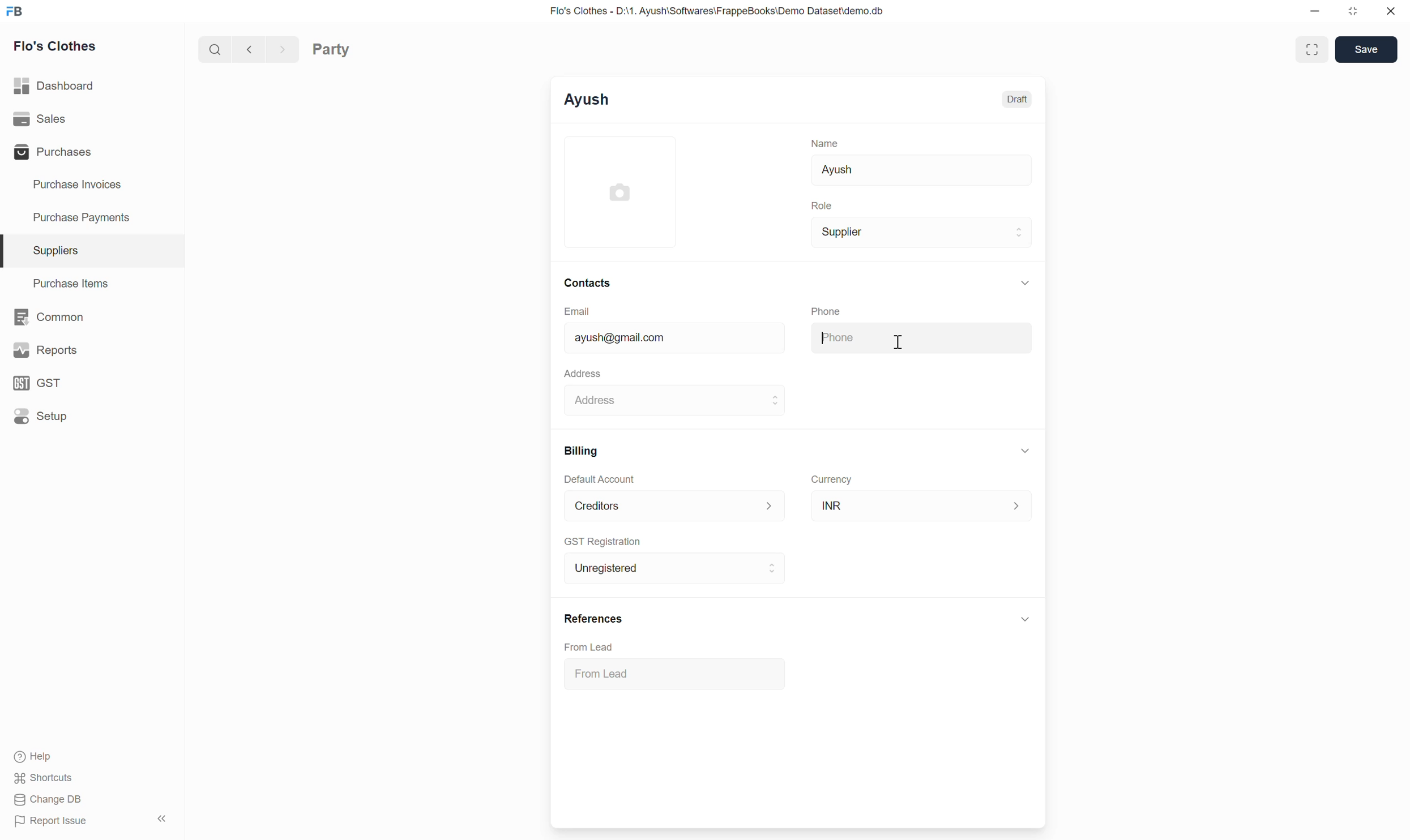 This screenshot has height=840, width=1410. Describe the element at coordinates (587, 100) in the screenshot. I see `Ayush` at that location.